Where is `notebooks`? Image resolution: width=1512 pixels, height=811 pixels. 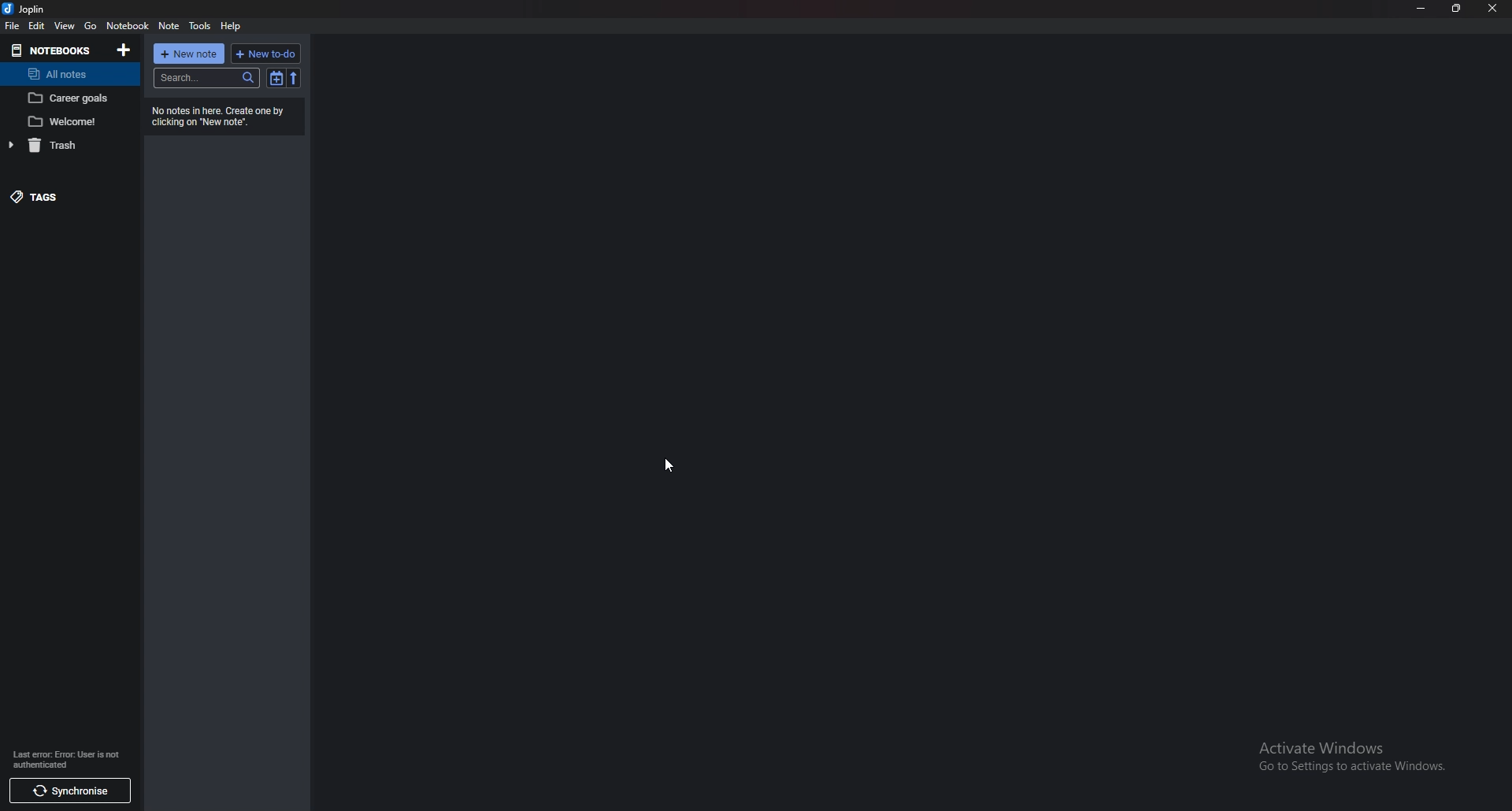
notebooks is located at coordinates (52, 50).